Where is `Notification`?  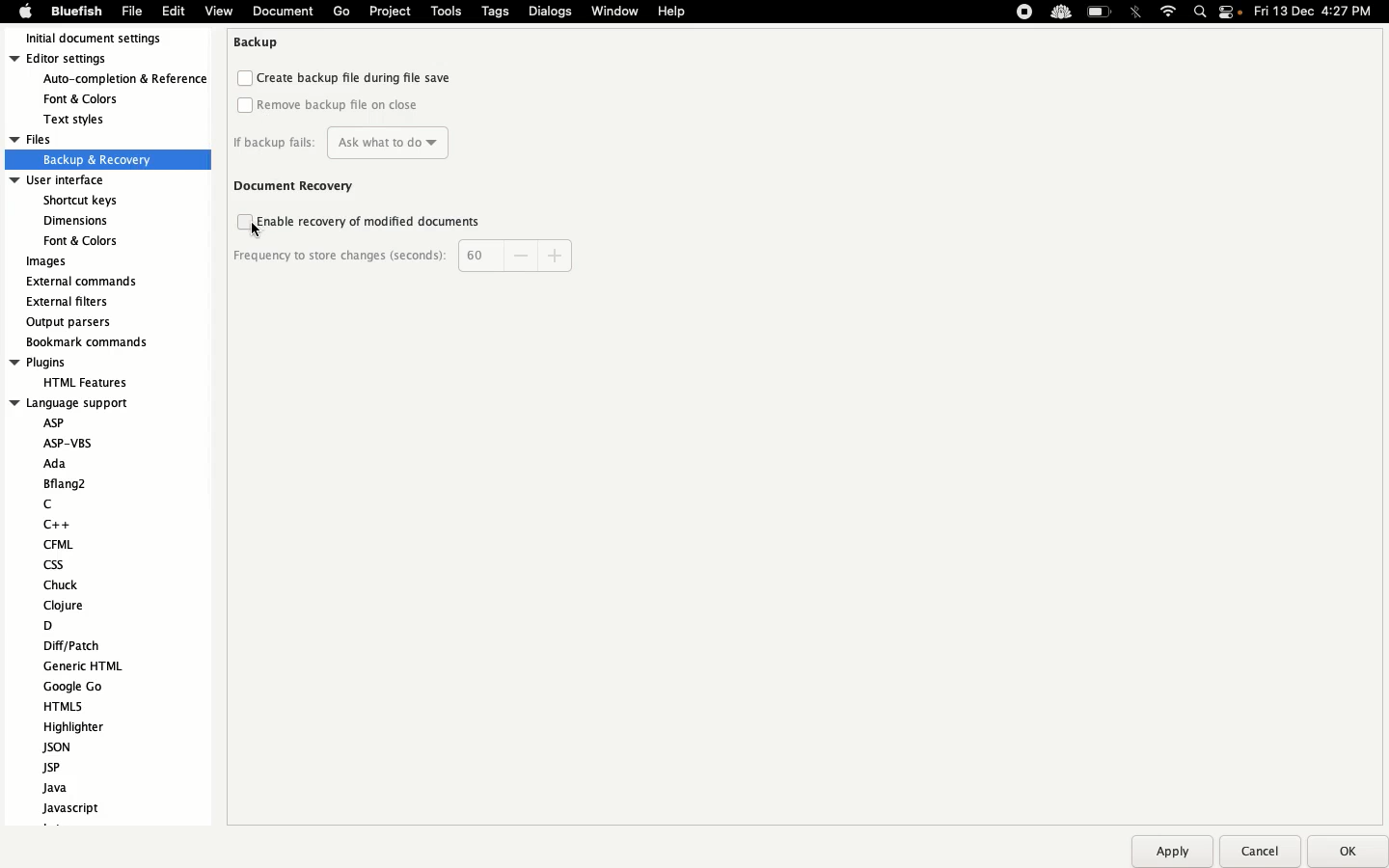 Notification is located at coordinates (1234, 14).